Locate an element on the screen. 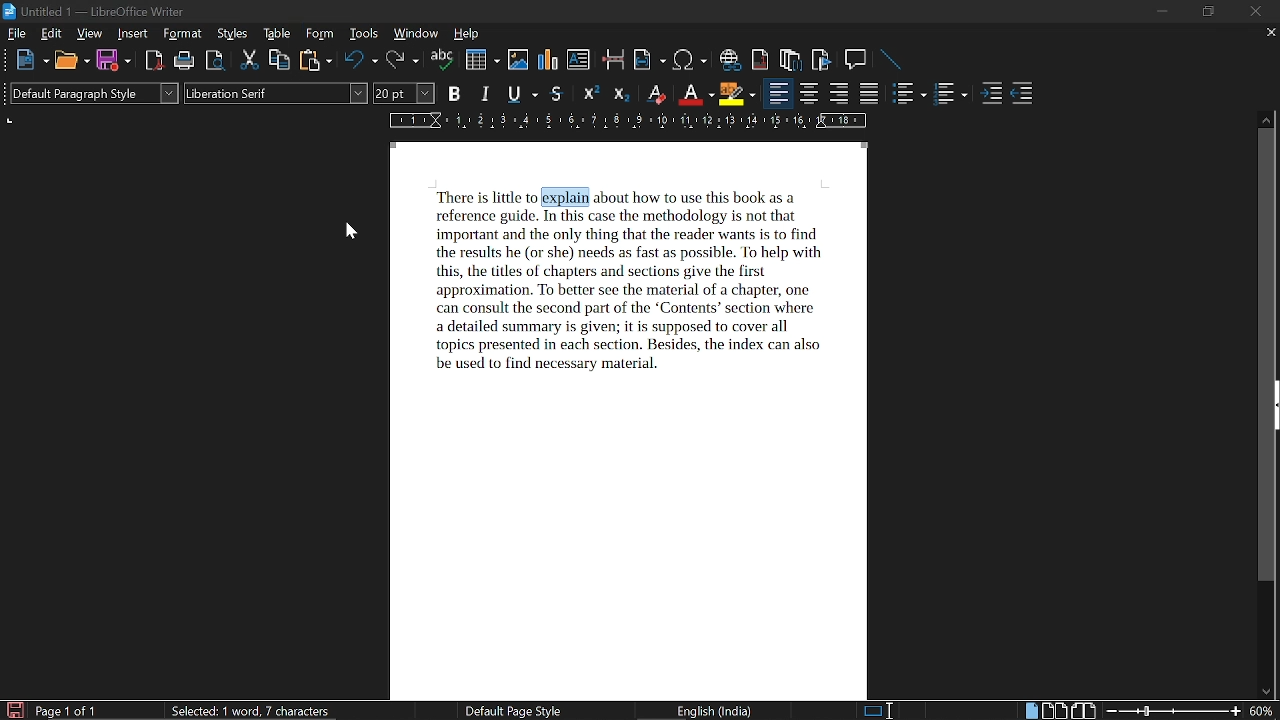 The height and width of the screenshot is (720, 1280). font style is located at coordinates (275, 94).